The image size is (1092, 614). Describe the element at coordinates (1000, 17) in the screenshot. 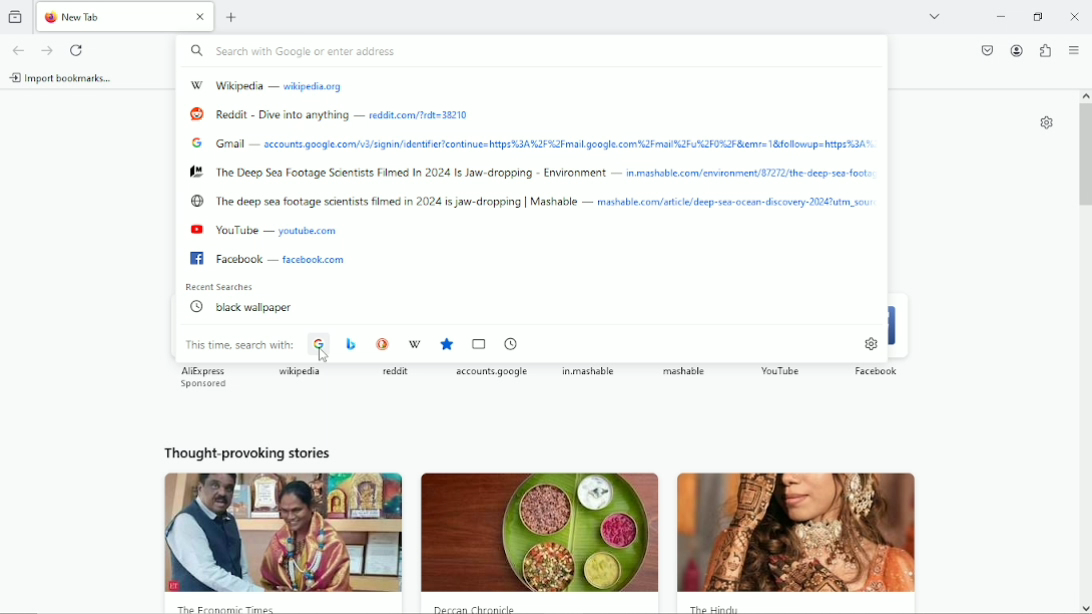

I see `minimize` at that location.